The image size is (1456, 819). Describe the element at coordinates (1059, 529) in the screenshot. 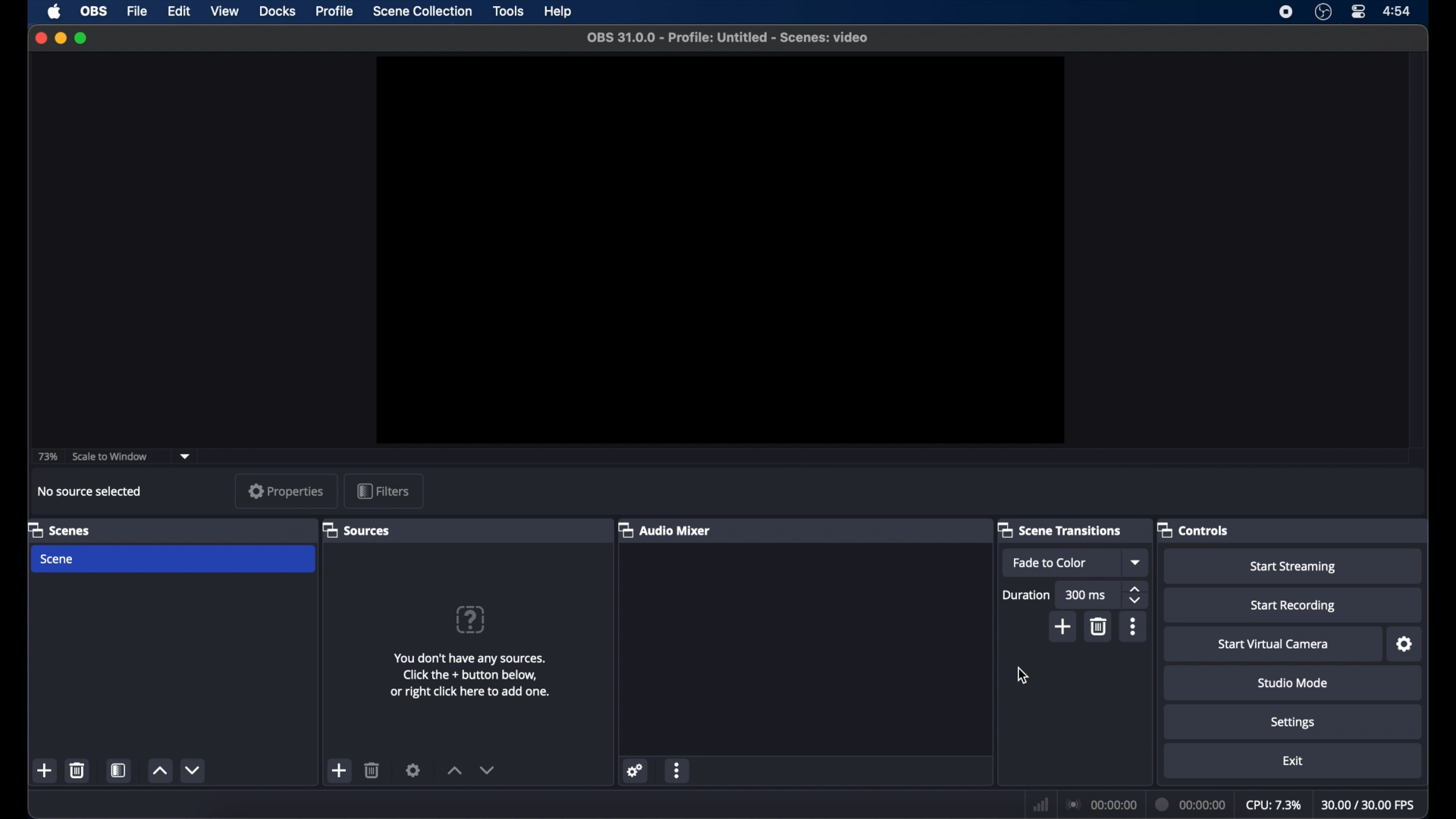

I see `scene transitions` at that location.